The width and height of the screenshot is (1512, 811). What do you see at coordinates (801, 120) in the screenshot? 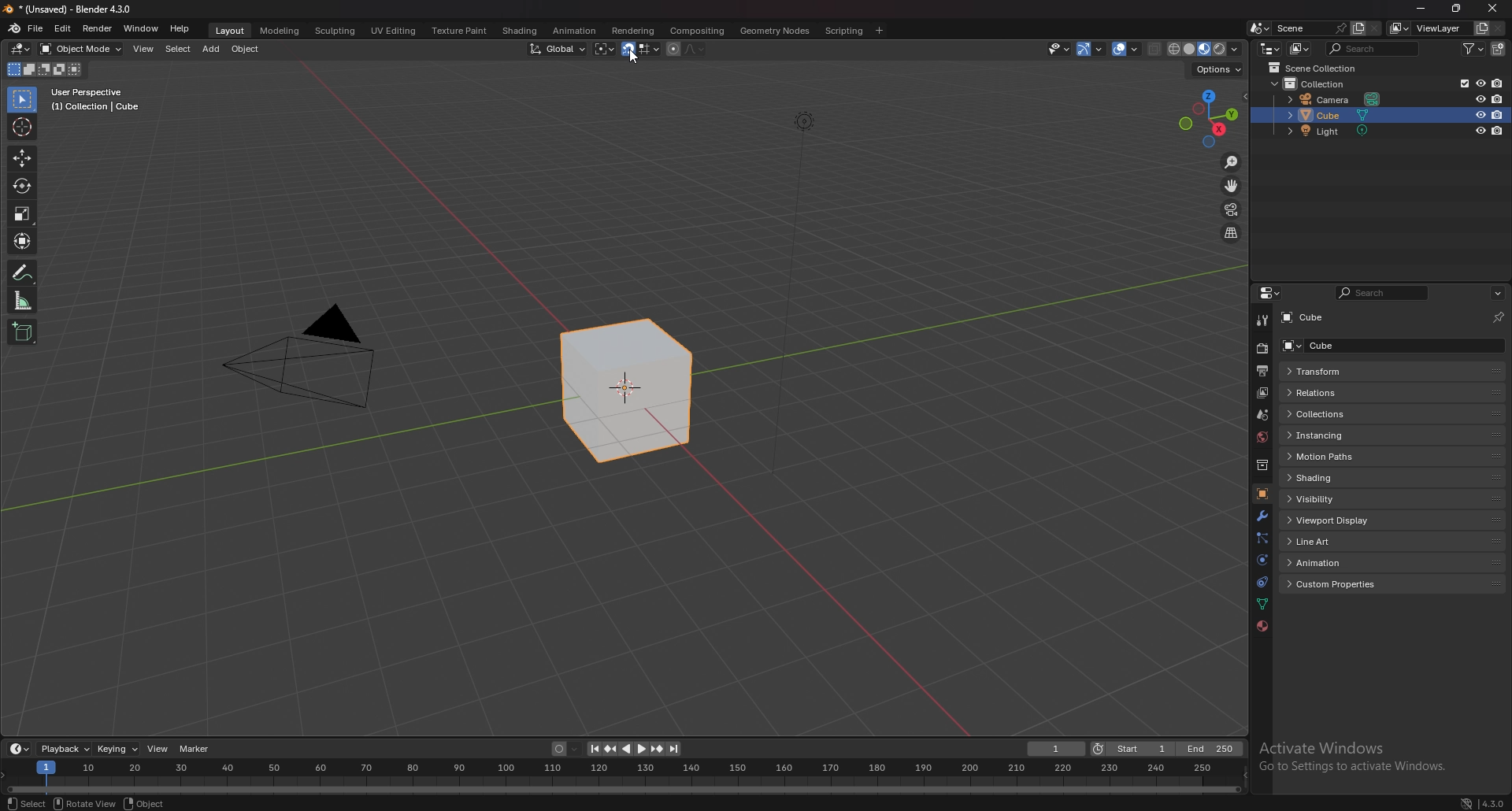
I see `lighting` at bounding box center [801, 120].